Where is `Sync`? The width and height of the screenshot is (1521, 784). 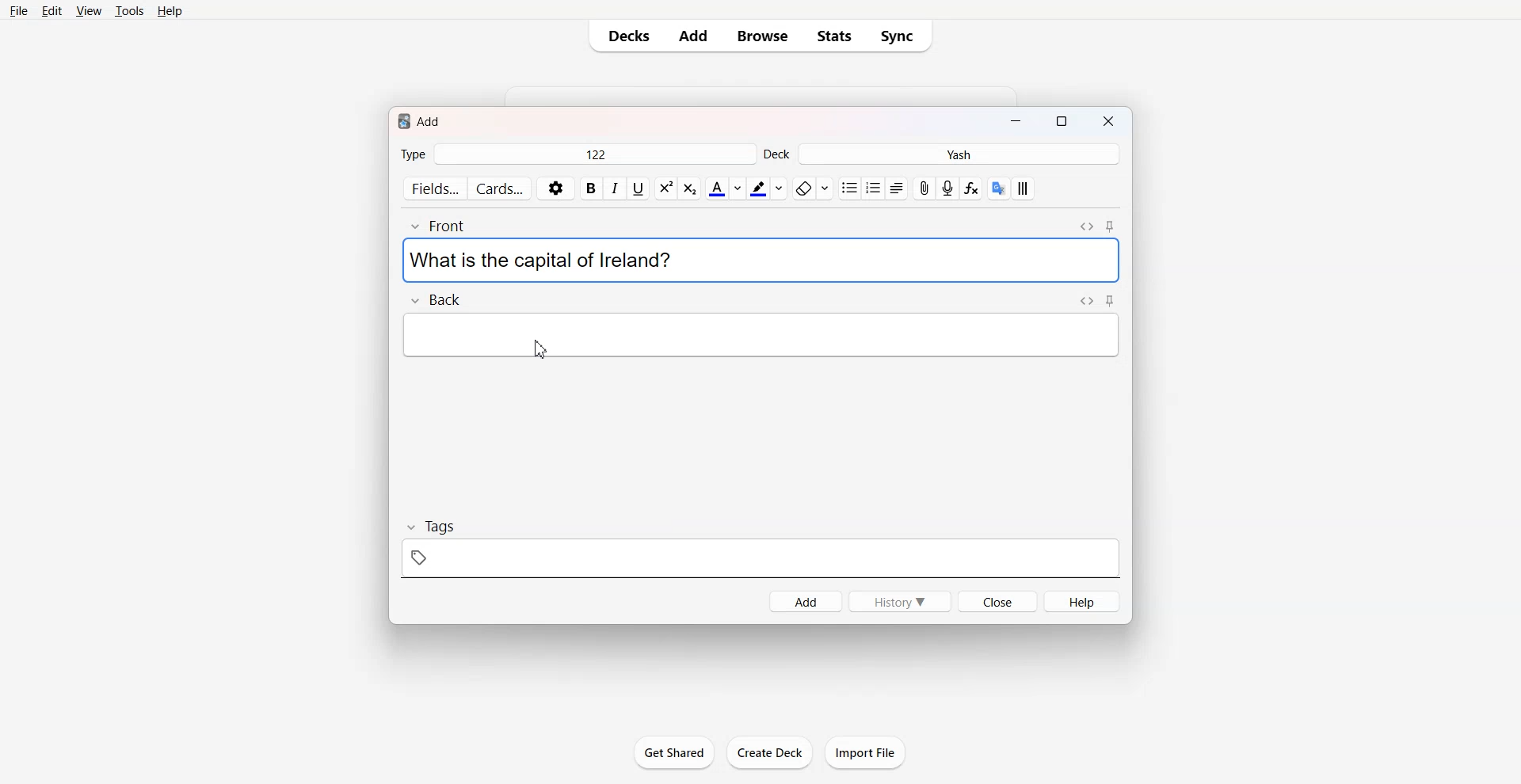
Sync is located at coordinates (902, 36).